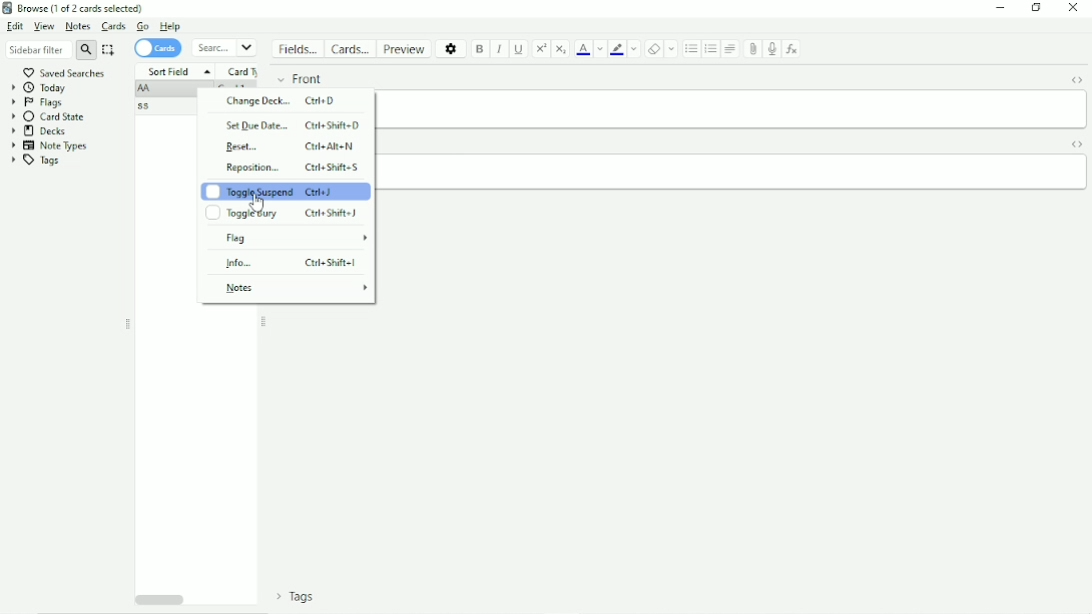 This screenshot has width=1092, height=614. What do you see at coordinates (114, 27) in the screenshot?
I see `Cards` at bounding box center [114, 27].